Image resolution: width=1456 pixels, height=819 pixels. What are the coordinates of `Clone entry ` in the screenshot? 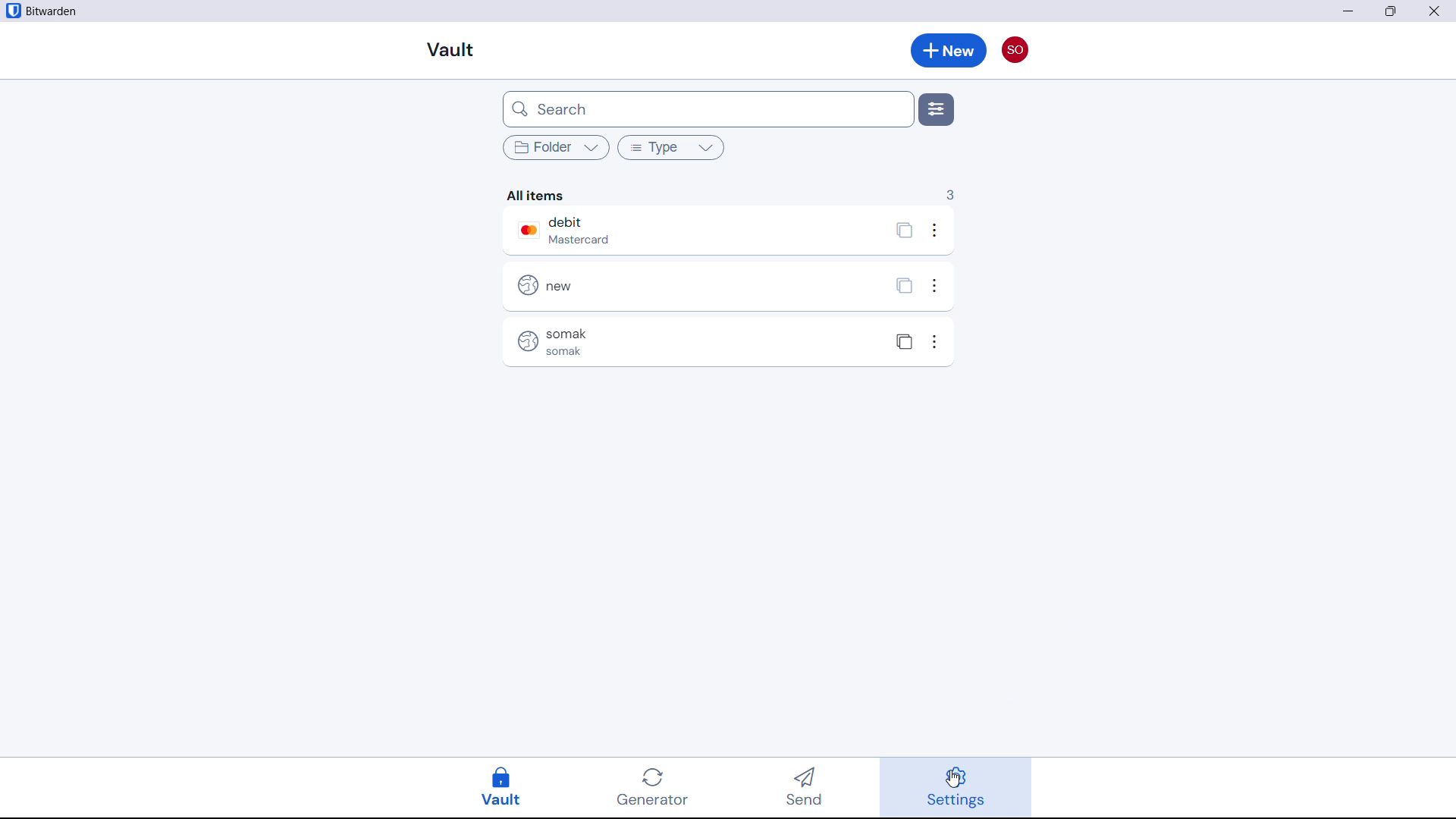 It's located at (903, 288).